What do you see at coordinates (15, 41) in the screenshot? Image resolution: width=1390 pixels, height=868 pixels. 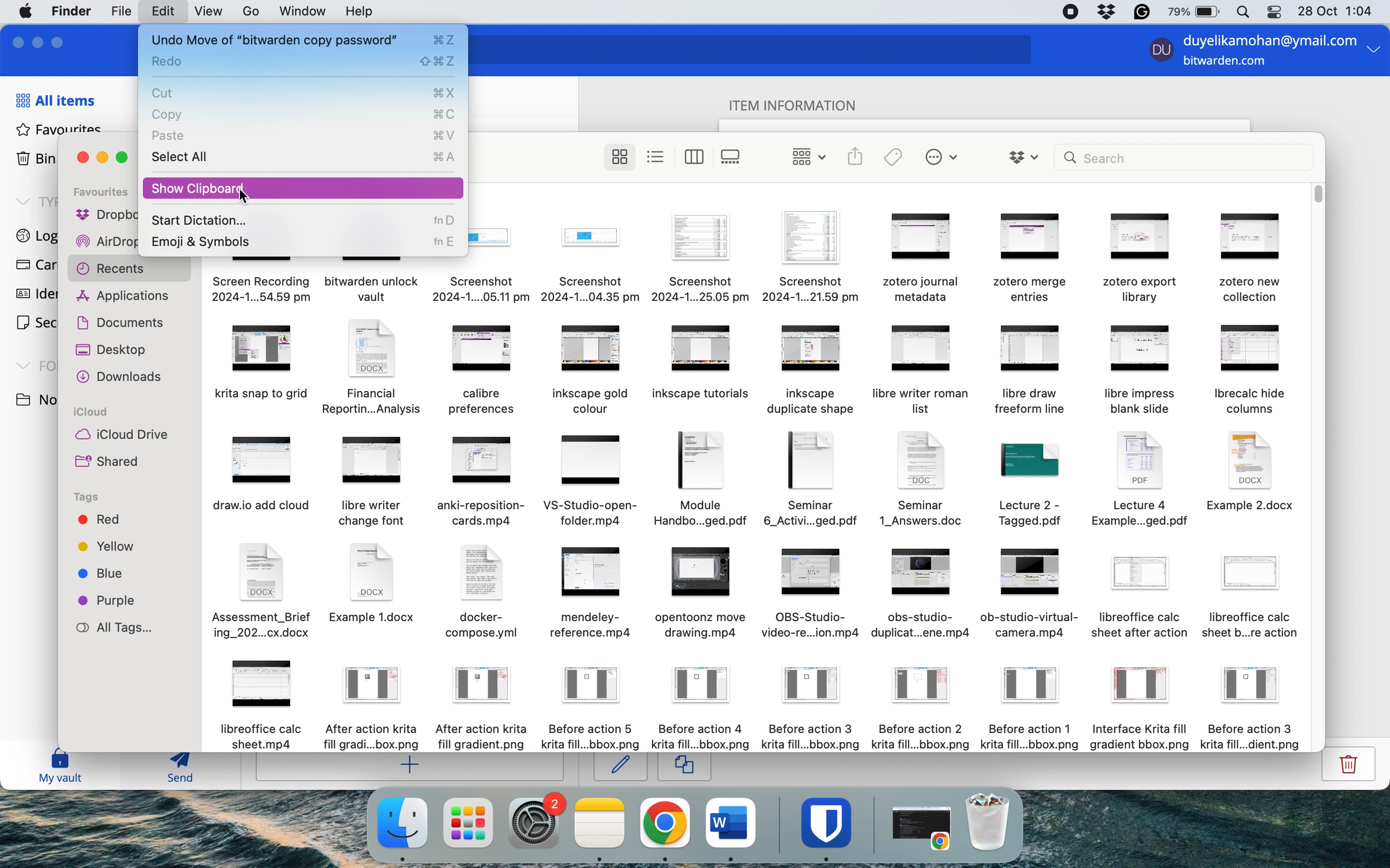 I see `close` at bounding box center [15, 41].